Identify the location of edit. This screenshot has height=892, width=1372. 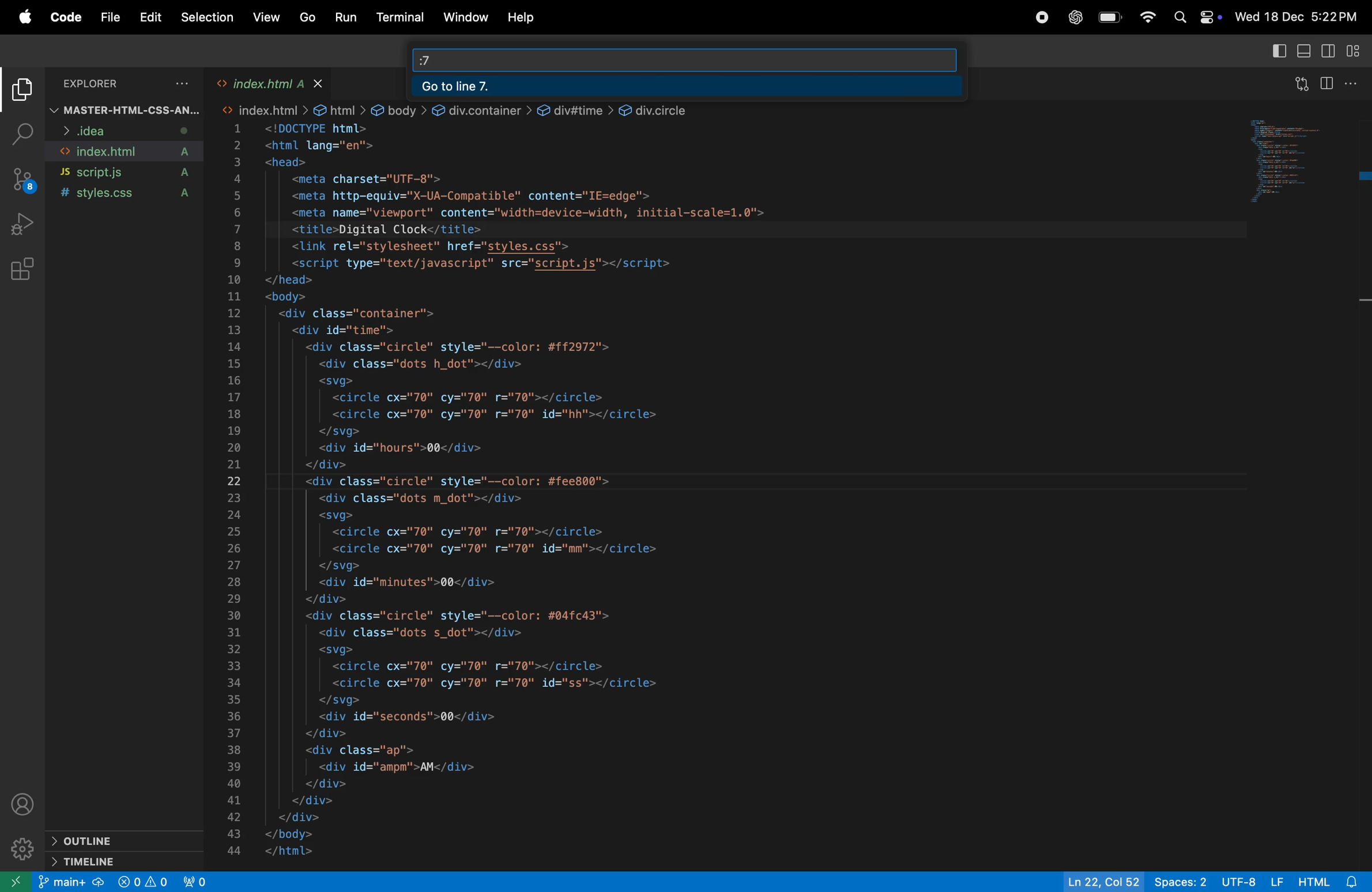
(148, 19).